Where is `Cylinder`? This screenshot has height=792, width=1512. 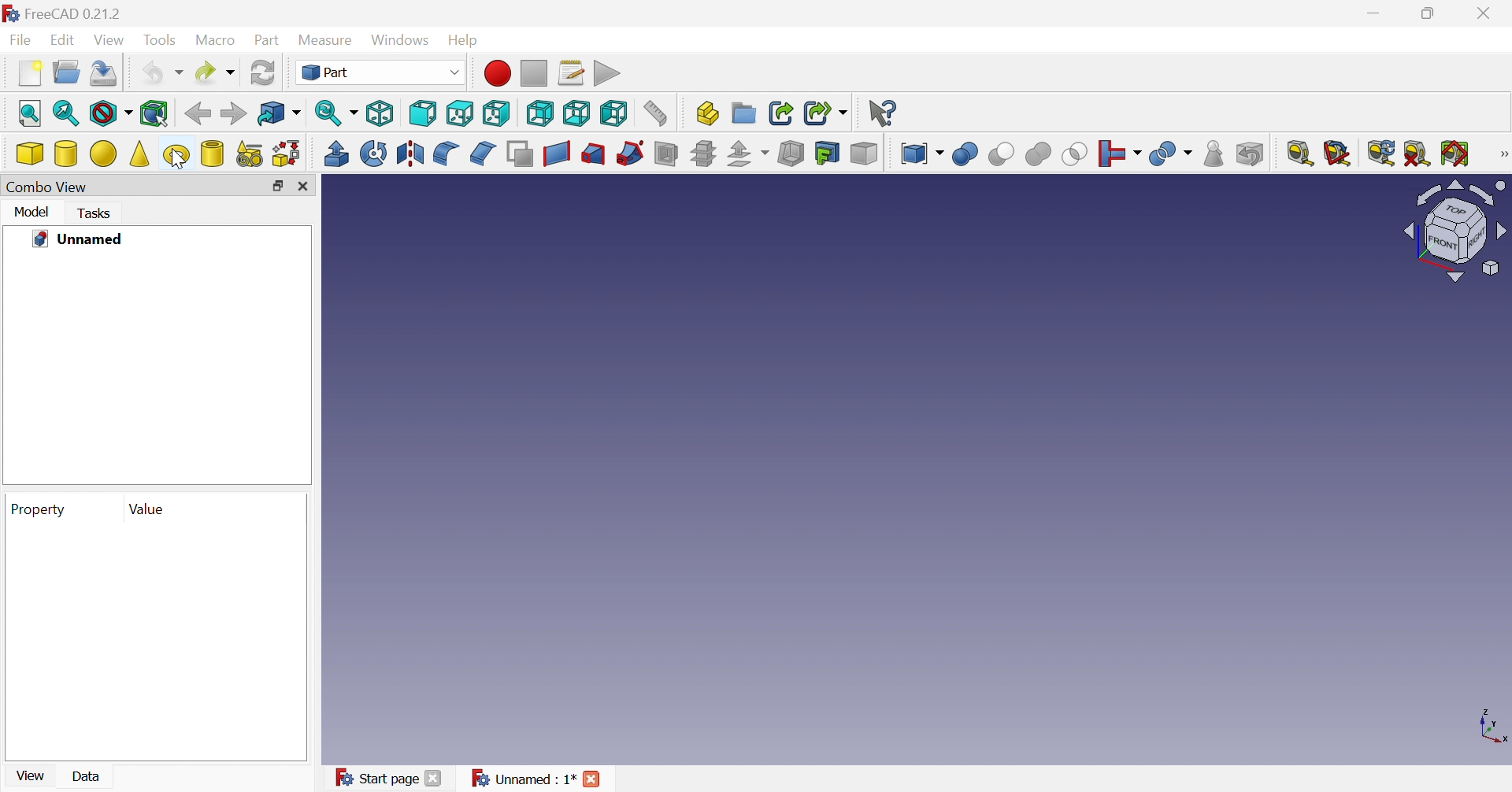 Cylinder is located at coordinates (66, 154).